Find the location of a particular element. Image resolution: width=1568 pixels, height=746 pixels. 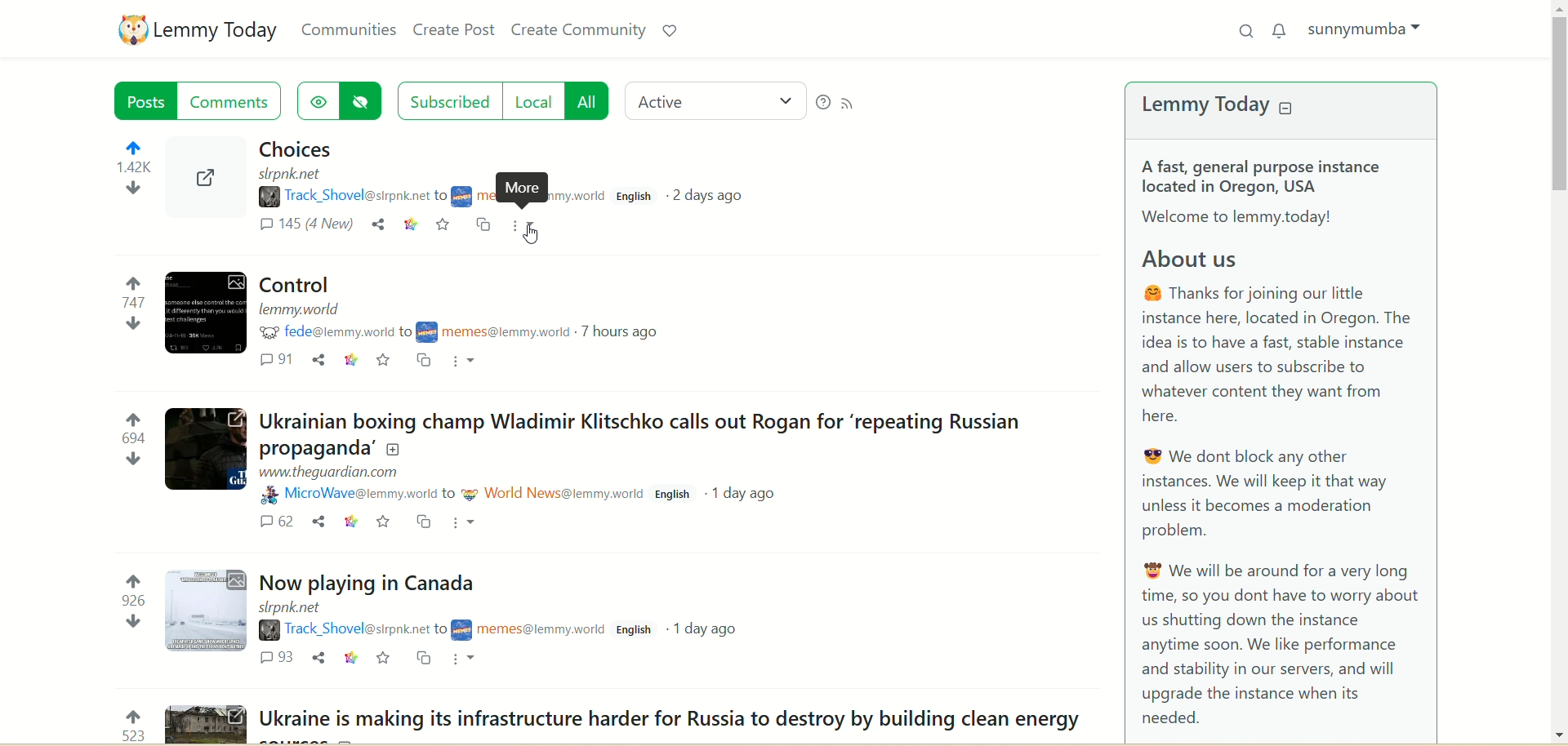

cross post is located at coordinates (424, 360).